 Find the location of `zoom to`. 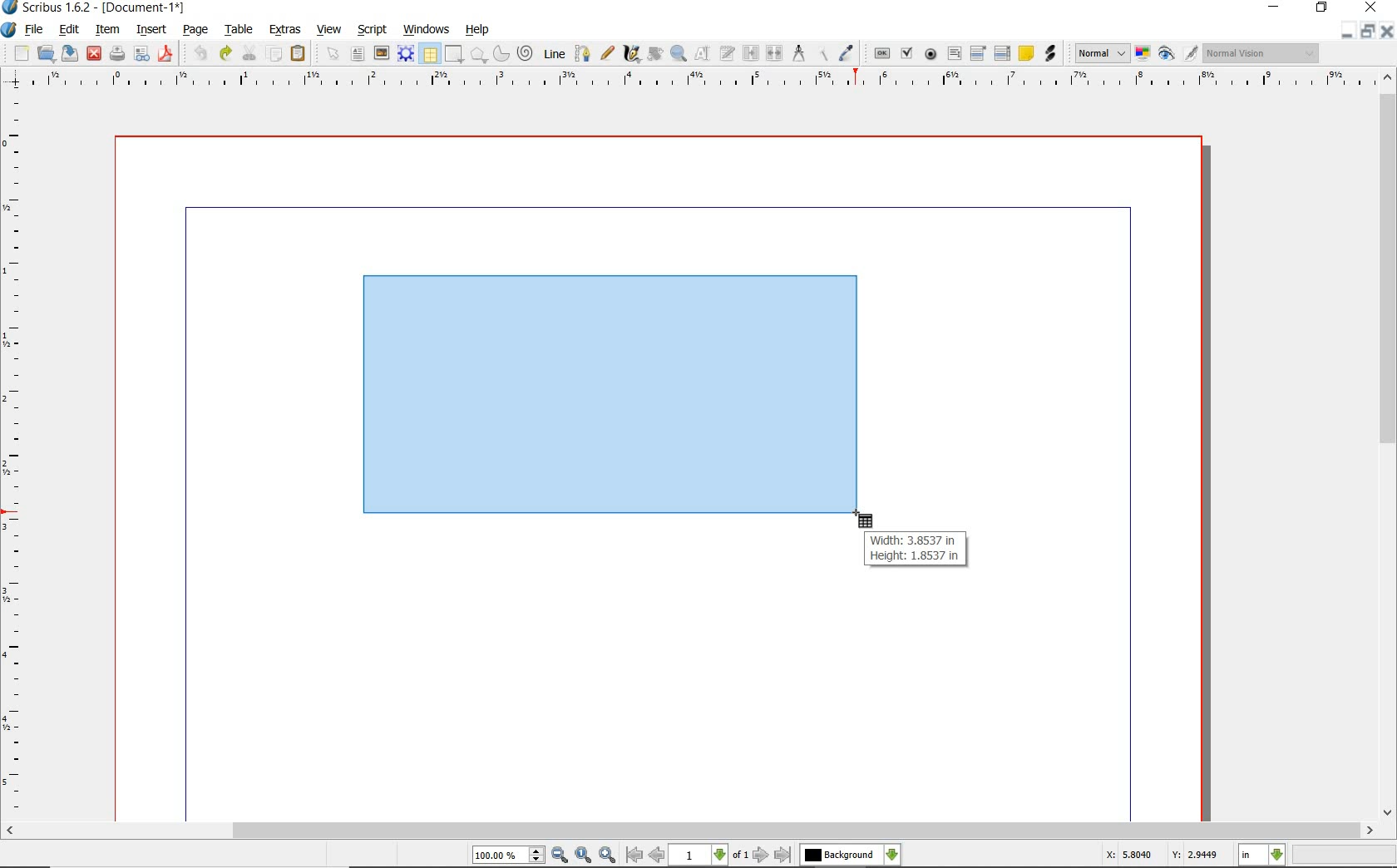

zoom to is located at coordinates (583, 856).